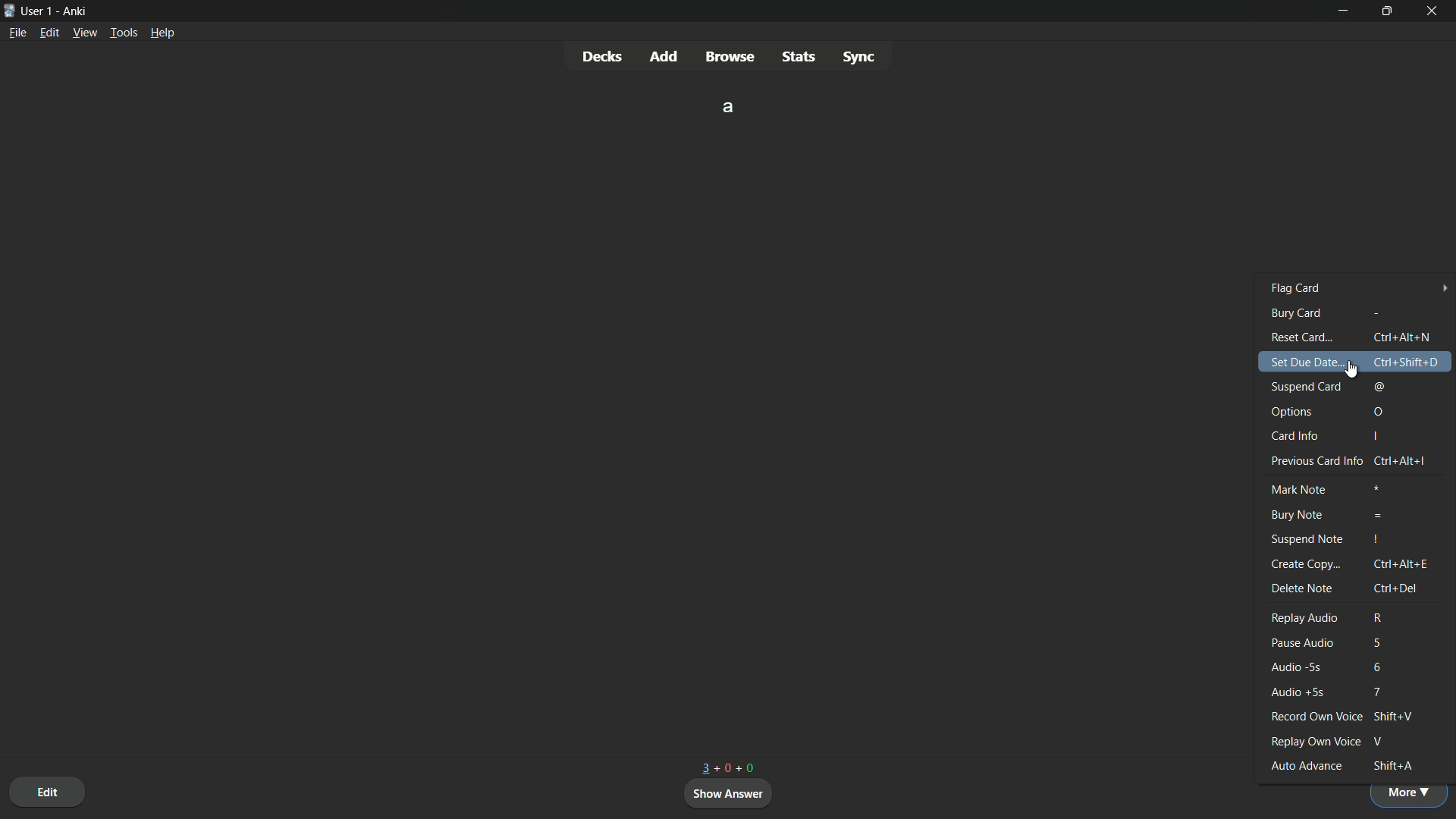  I want to click on pause audio, so click(1305, 642).